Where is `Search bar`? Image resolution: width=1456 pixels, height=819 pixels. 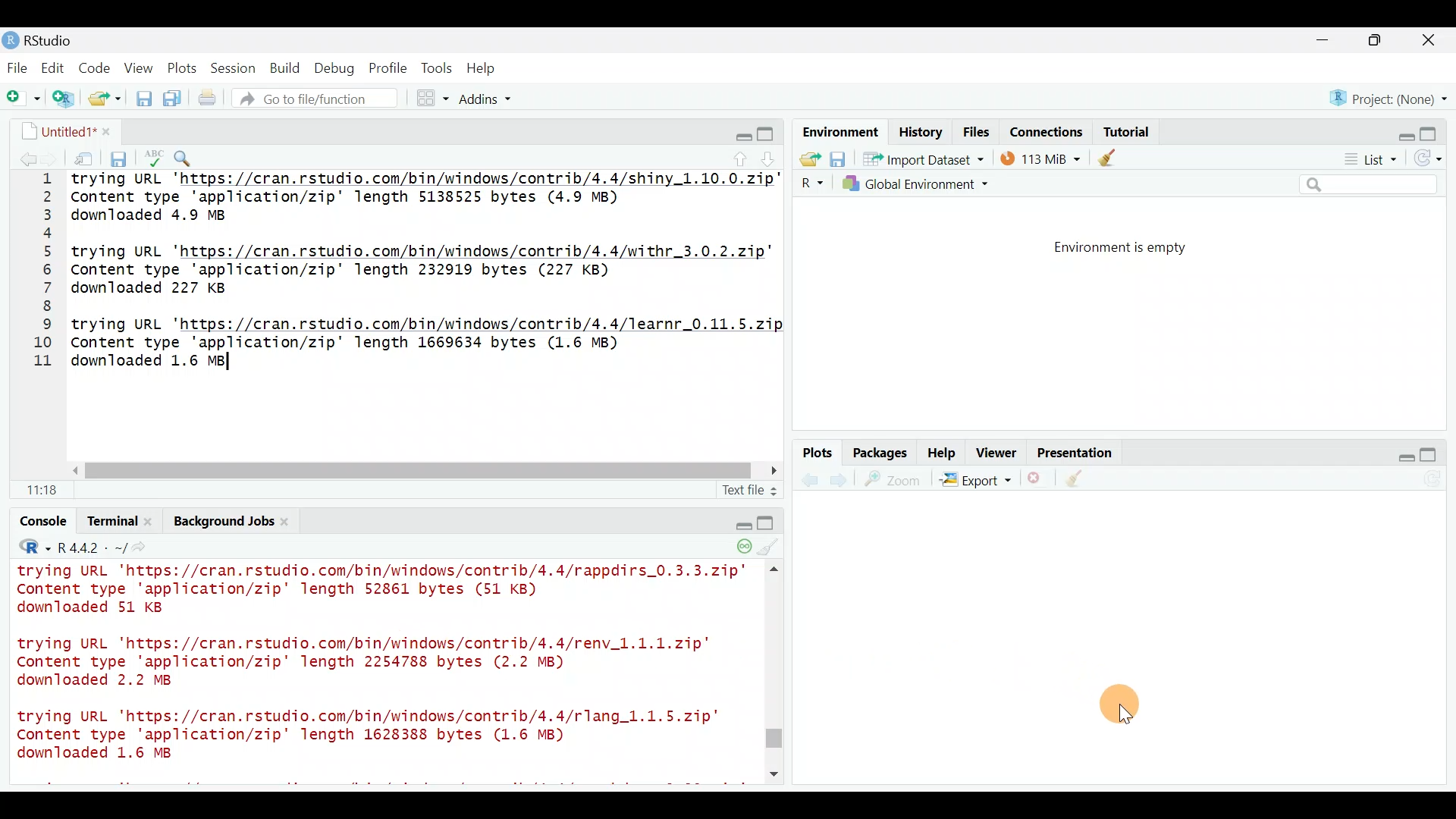
Search bar is located at coordinates (1371, 185).